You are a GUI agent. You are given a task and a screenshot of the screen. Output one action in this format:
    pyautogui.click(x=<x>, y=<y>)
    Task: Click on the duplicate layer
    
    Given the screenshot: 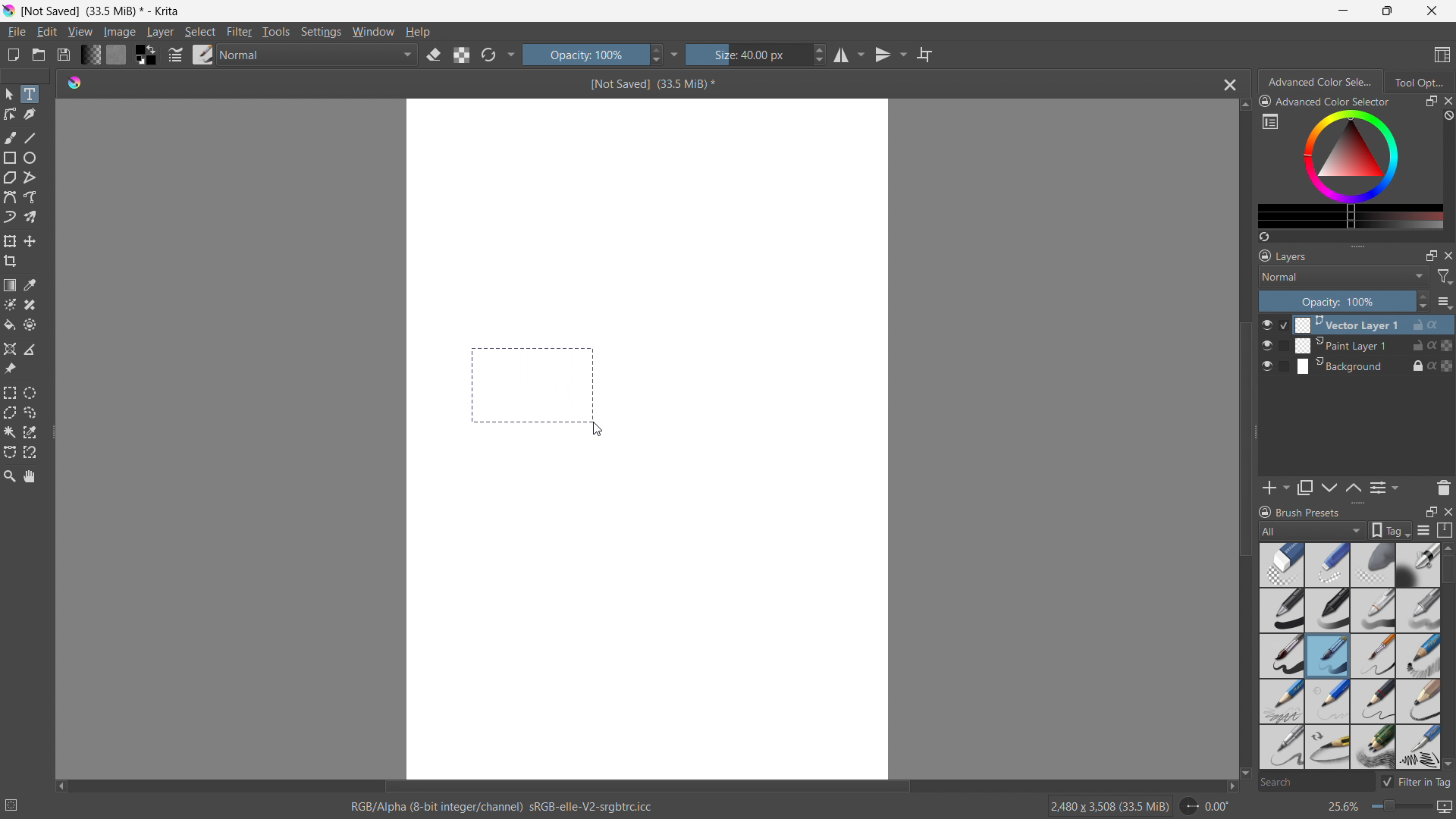 What is the action you would take?
    pyautogui.click(x=1305, y=488)
    